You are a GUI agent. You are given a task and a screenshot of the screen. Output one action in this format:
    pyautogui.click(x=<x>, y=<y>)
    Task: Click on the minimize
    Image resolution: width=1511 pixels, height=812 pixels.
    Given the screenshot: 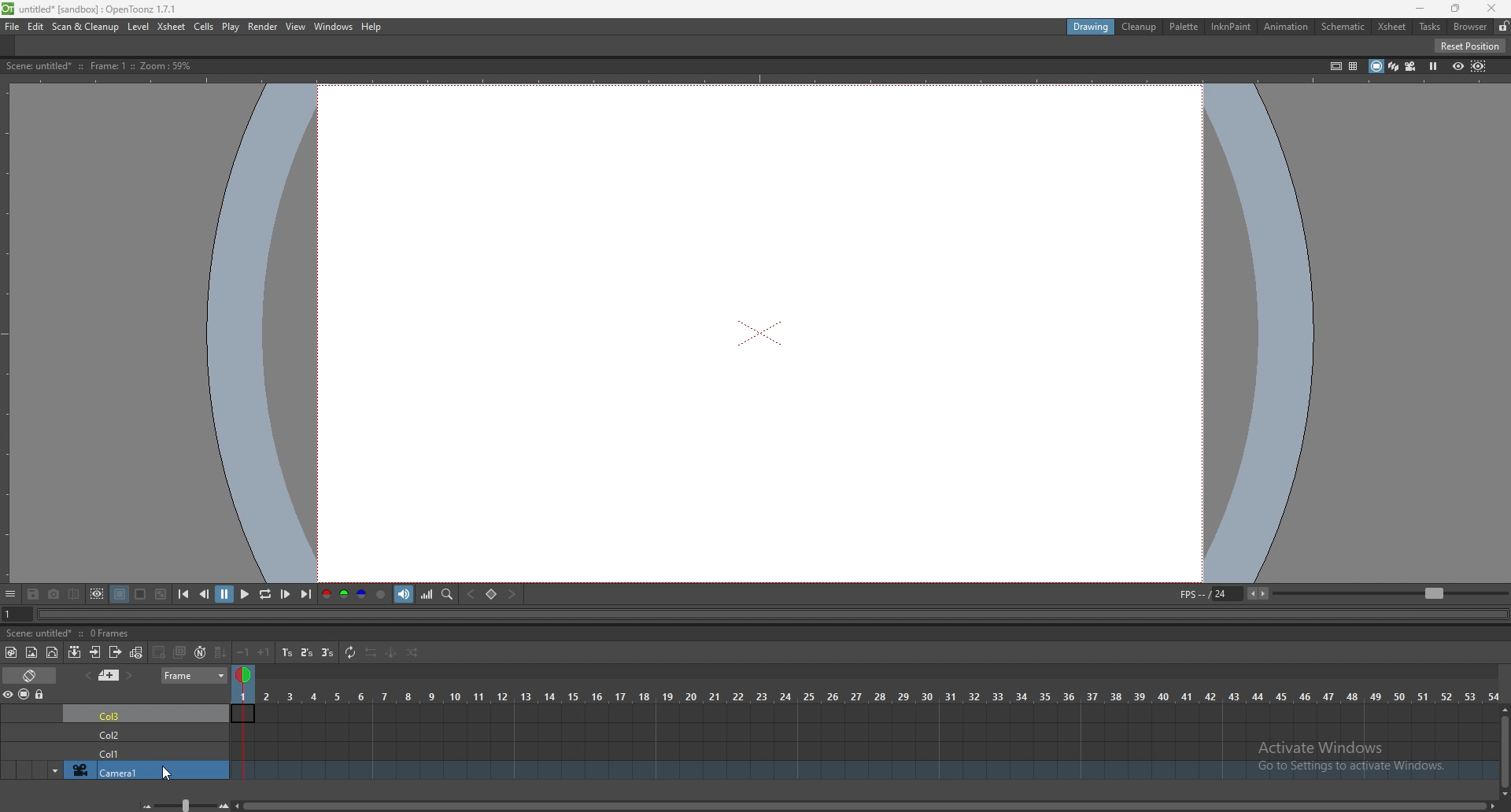 What is the action you would take?
    pyautogui.click(x=1420, y=8)
    